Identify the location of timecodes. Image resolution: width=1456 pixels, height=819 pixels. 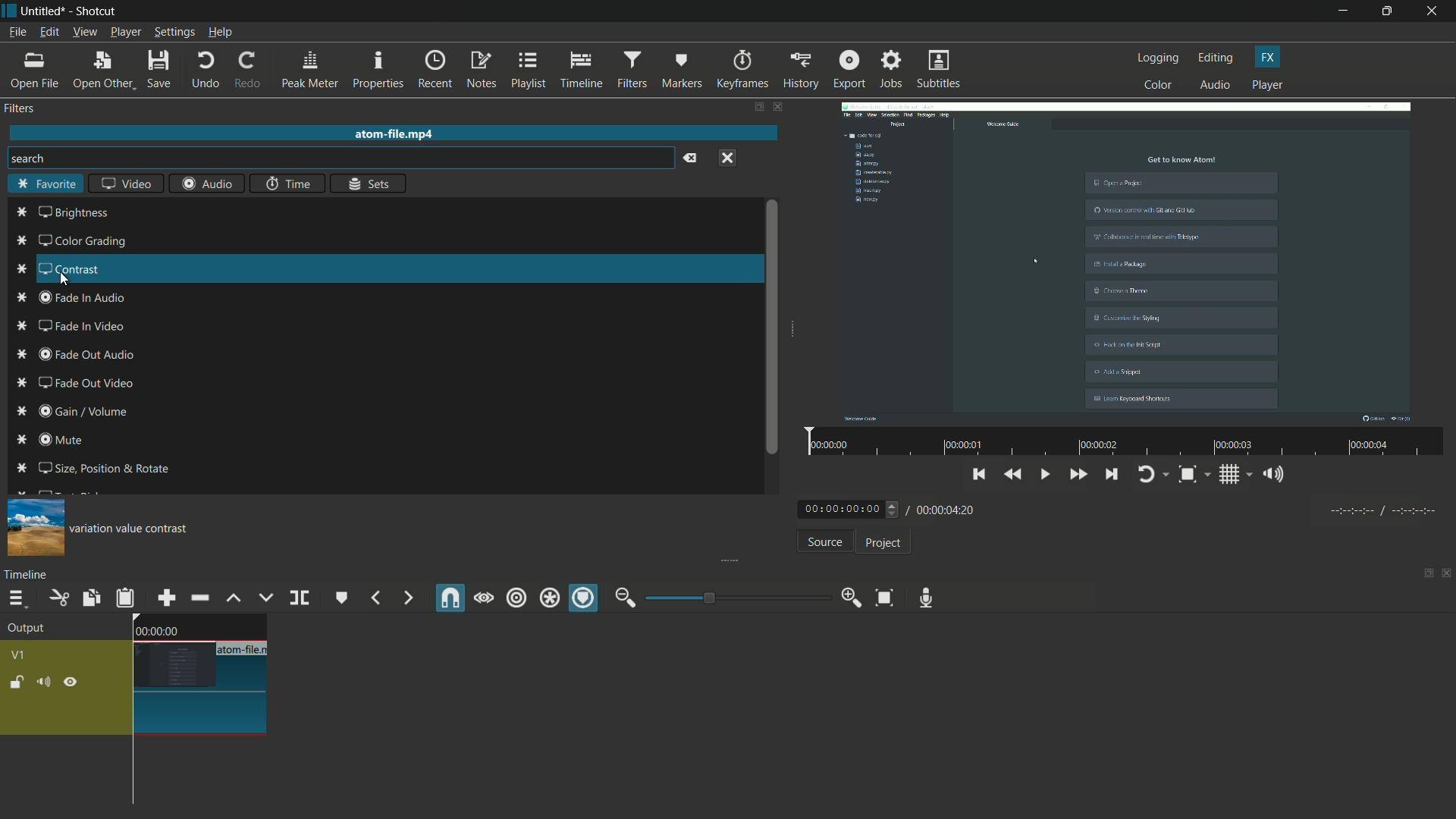
(1381, 508).